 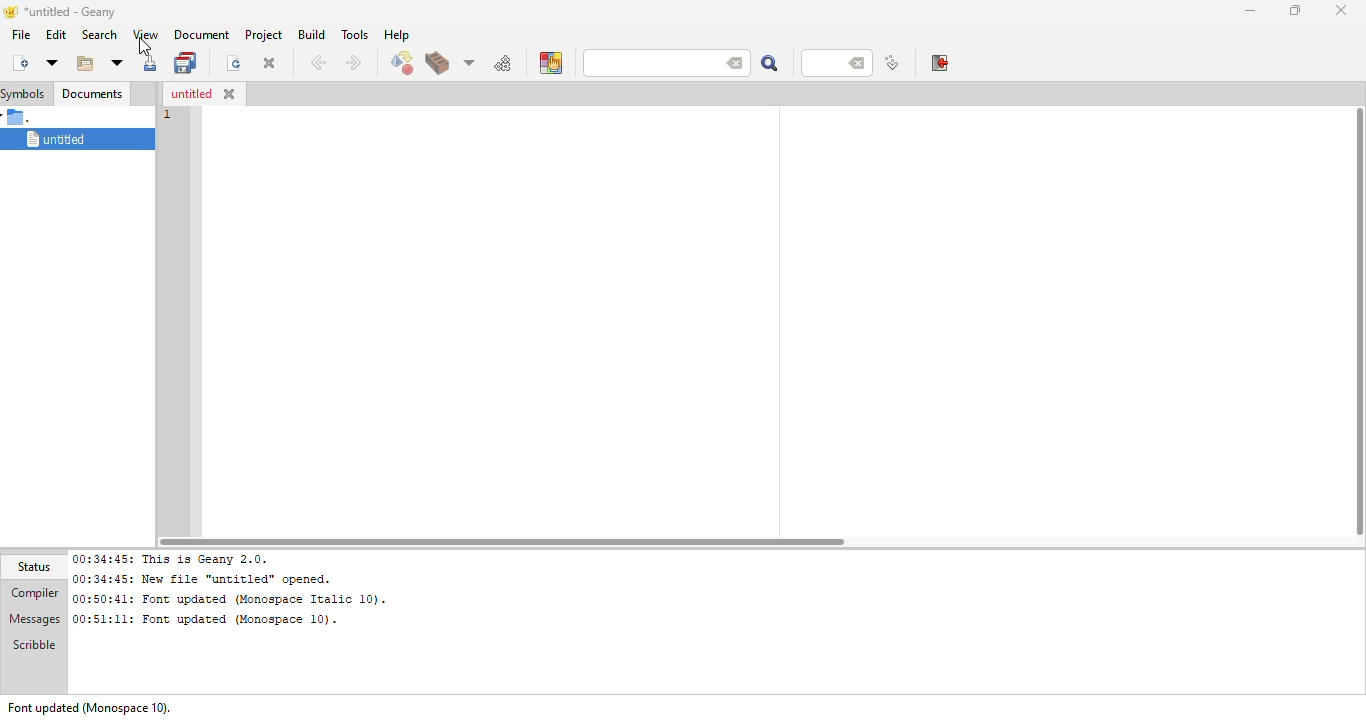 I want to click on open recent file, so click(x=115, y=63).